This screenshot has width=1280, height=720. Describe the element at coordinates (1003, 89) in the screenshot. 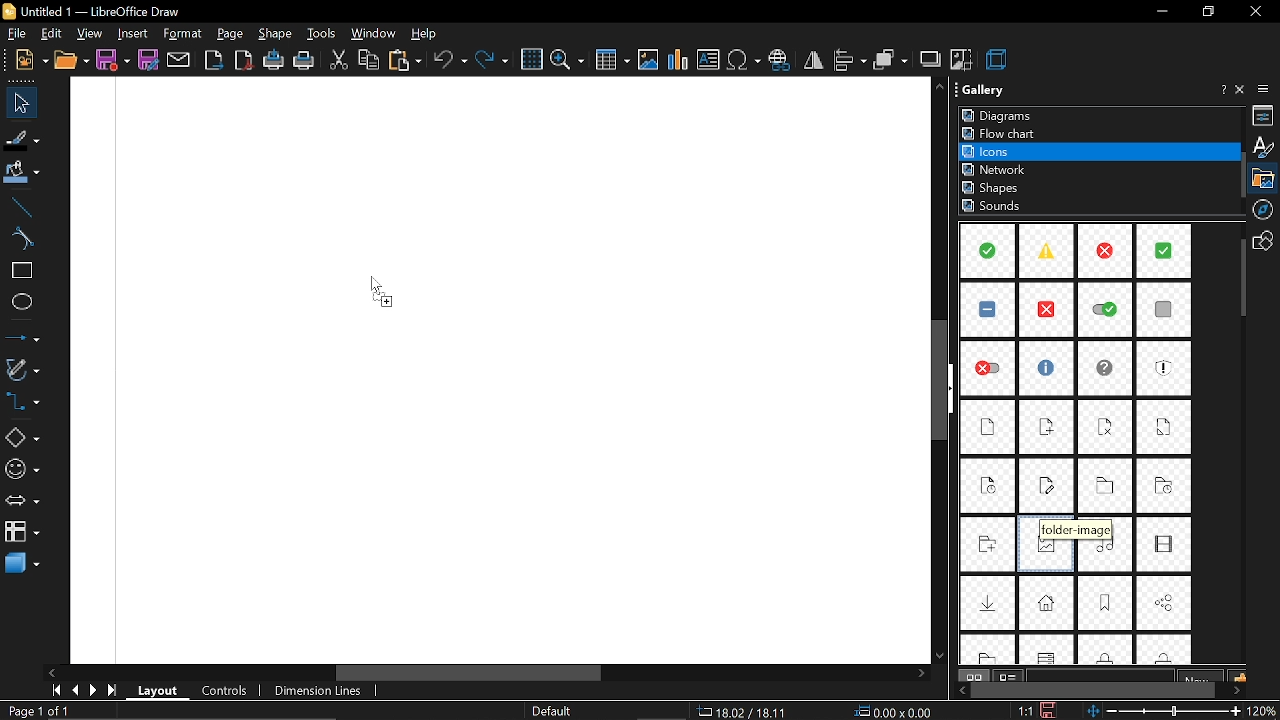

I see `Gallery` at that location.